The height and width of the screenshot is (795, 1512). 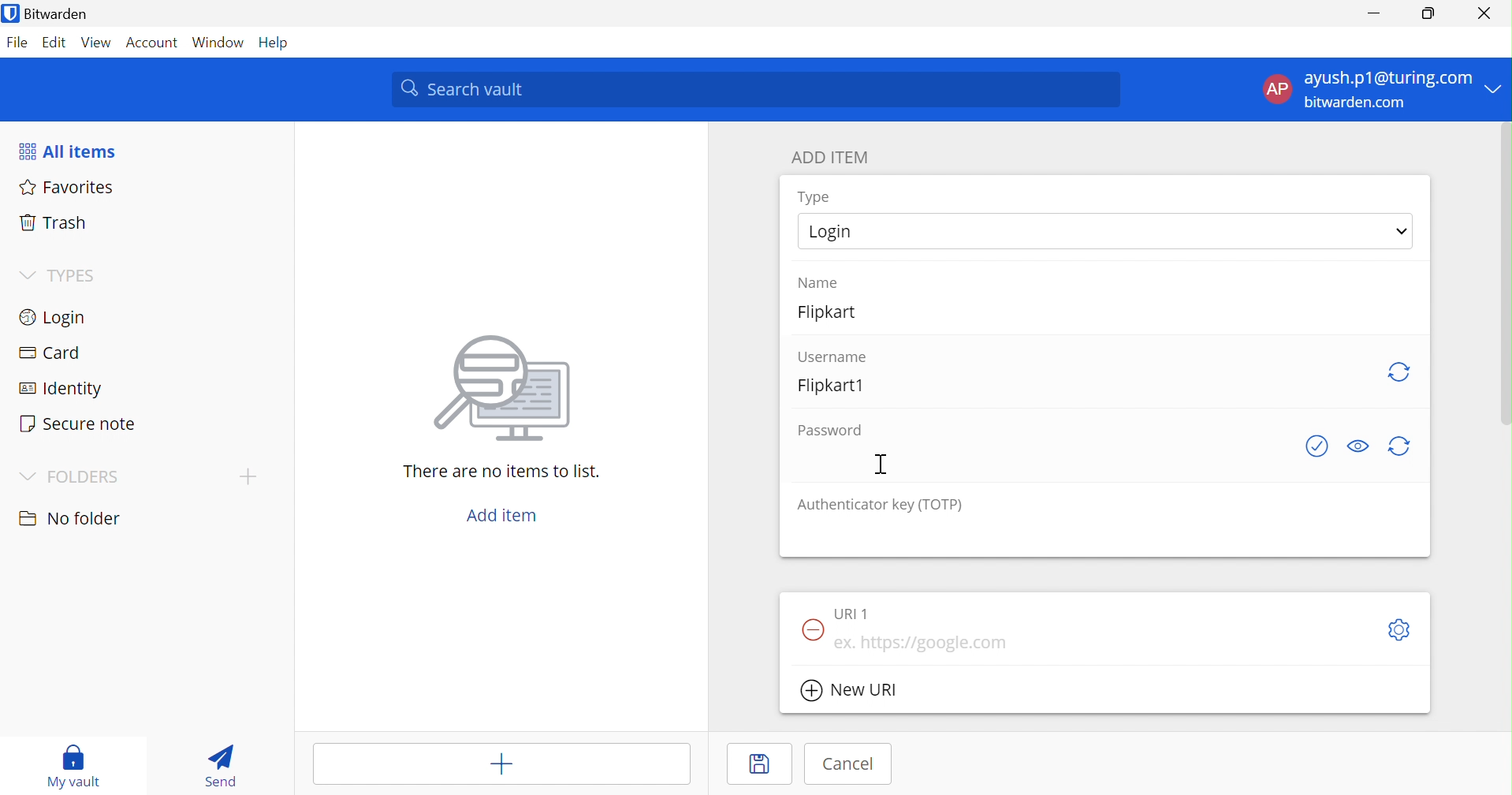 I want to click on Close, so click(x=1485, y=13).